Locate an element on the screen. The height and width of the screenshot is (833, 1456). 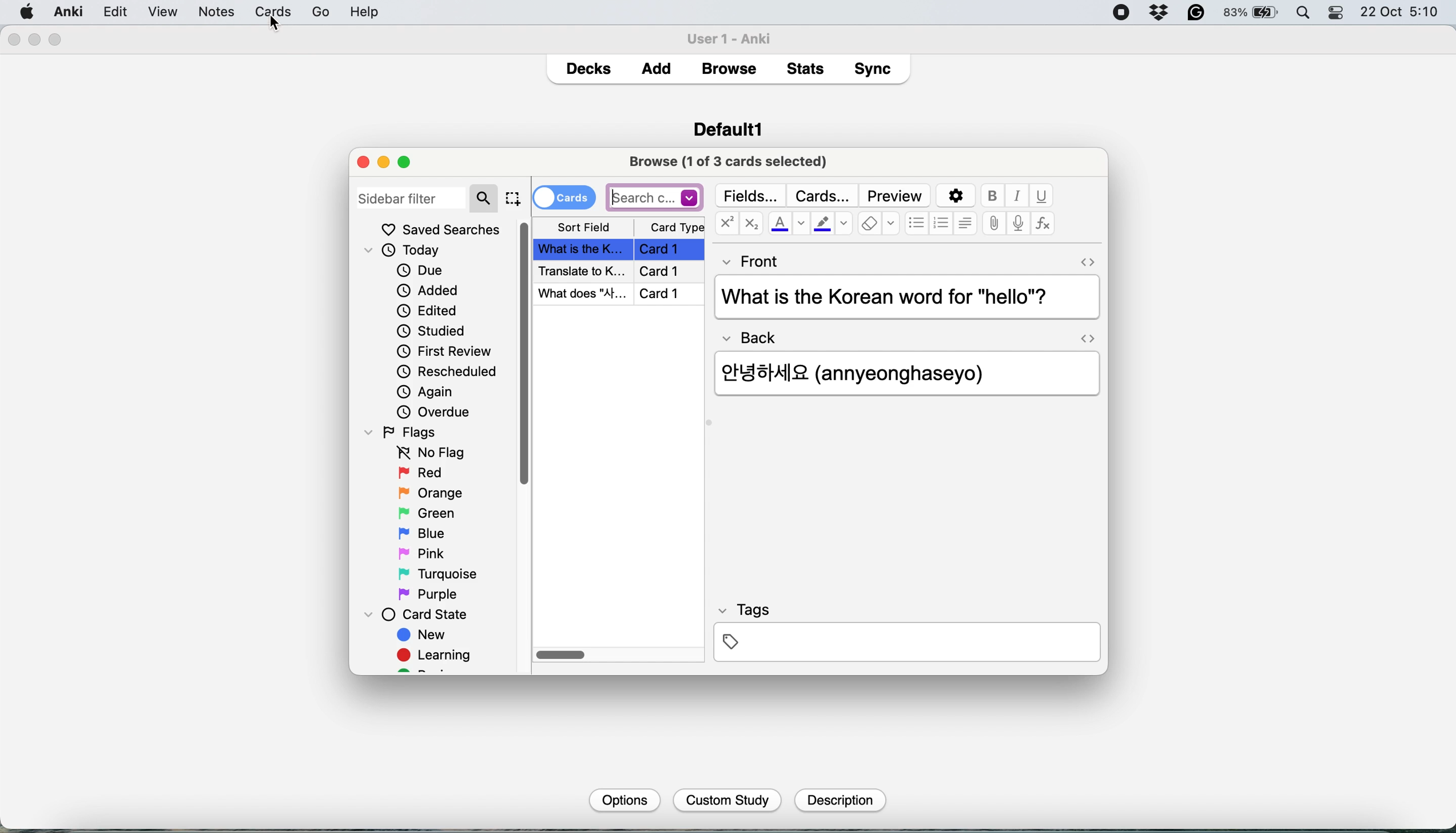
close is located at coordinates (363, 161).